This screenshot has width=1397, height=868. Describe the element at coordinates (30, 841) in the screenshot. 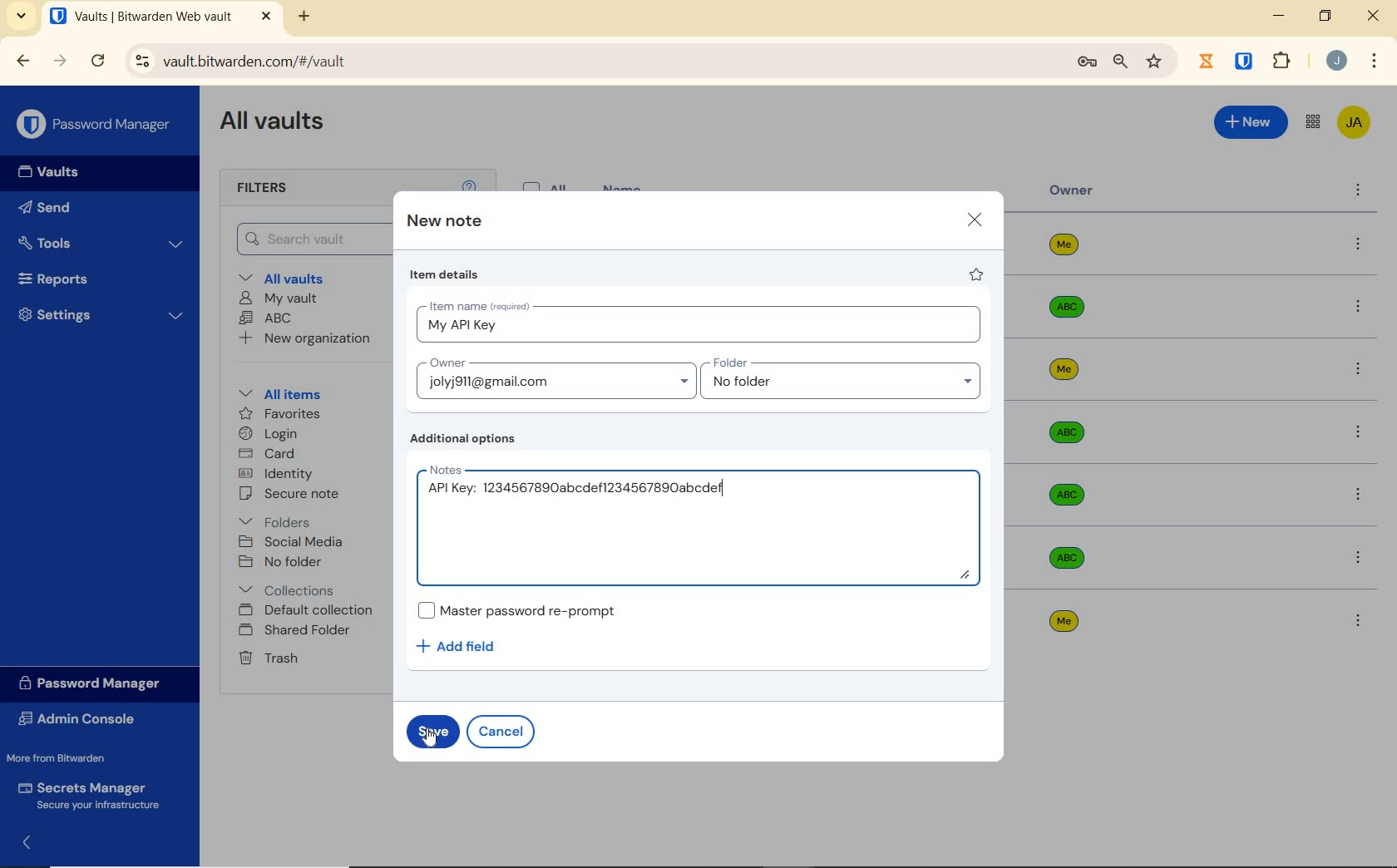

I see `expand/collapse` at that location.